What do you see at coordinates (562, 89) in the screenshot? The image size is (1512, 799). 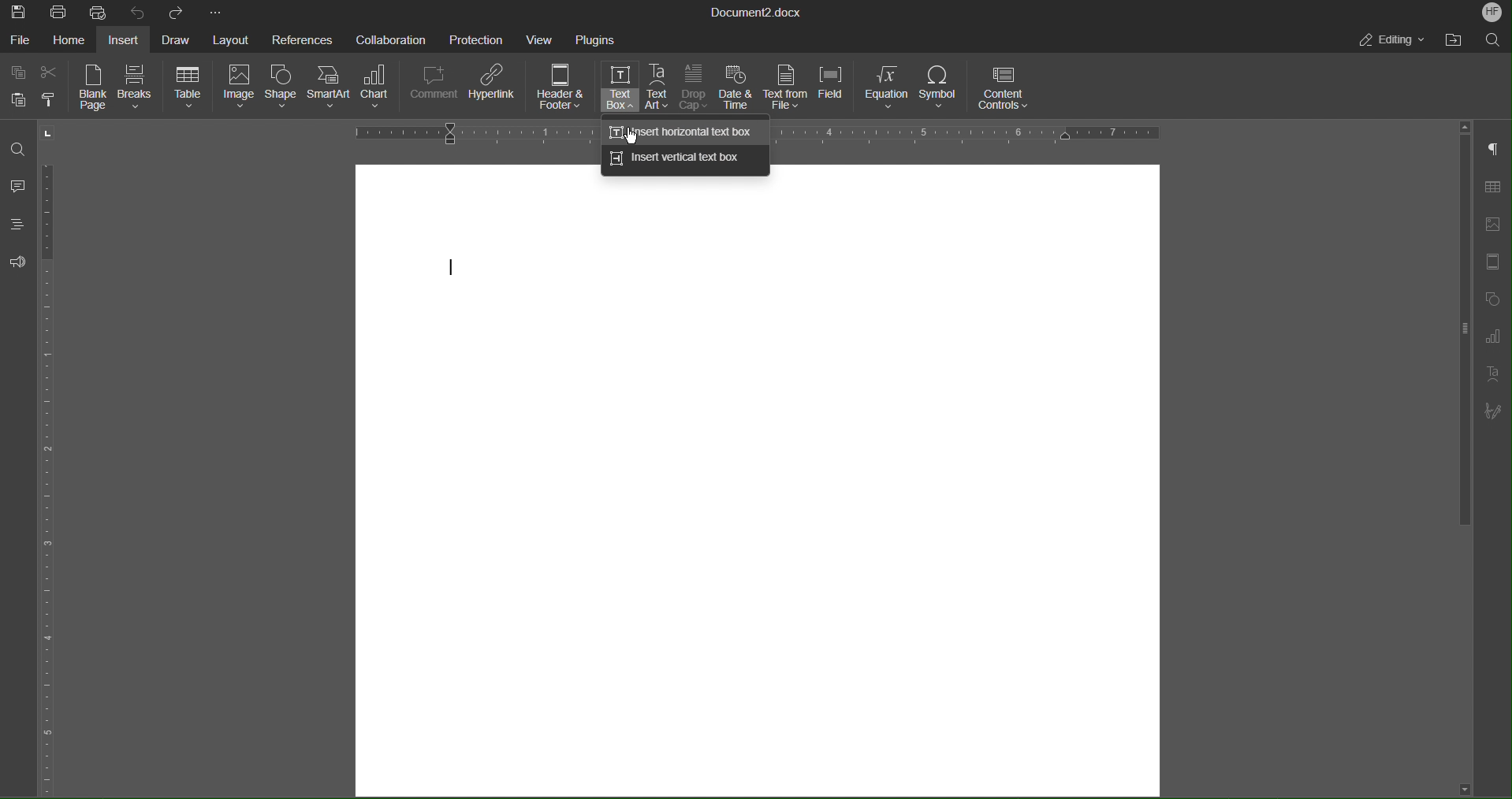 I see `Header & Footer` at bounding box center [562, 89].